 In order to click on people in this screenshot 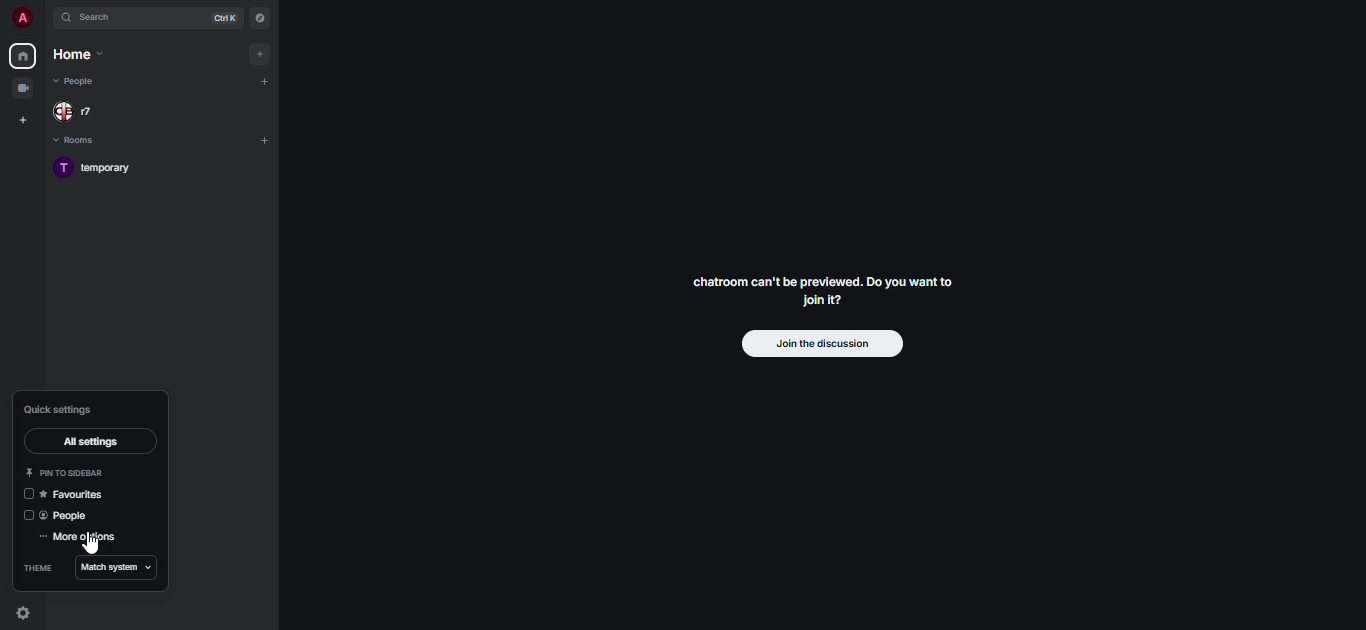, I will do `click(79, 112)`.